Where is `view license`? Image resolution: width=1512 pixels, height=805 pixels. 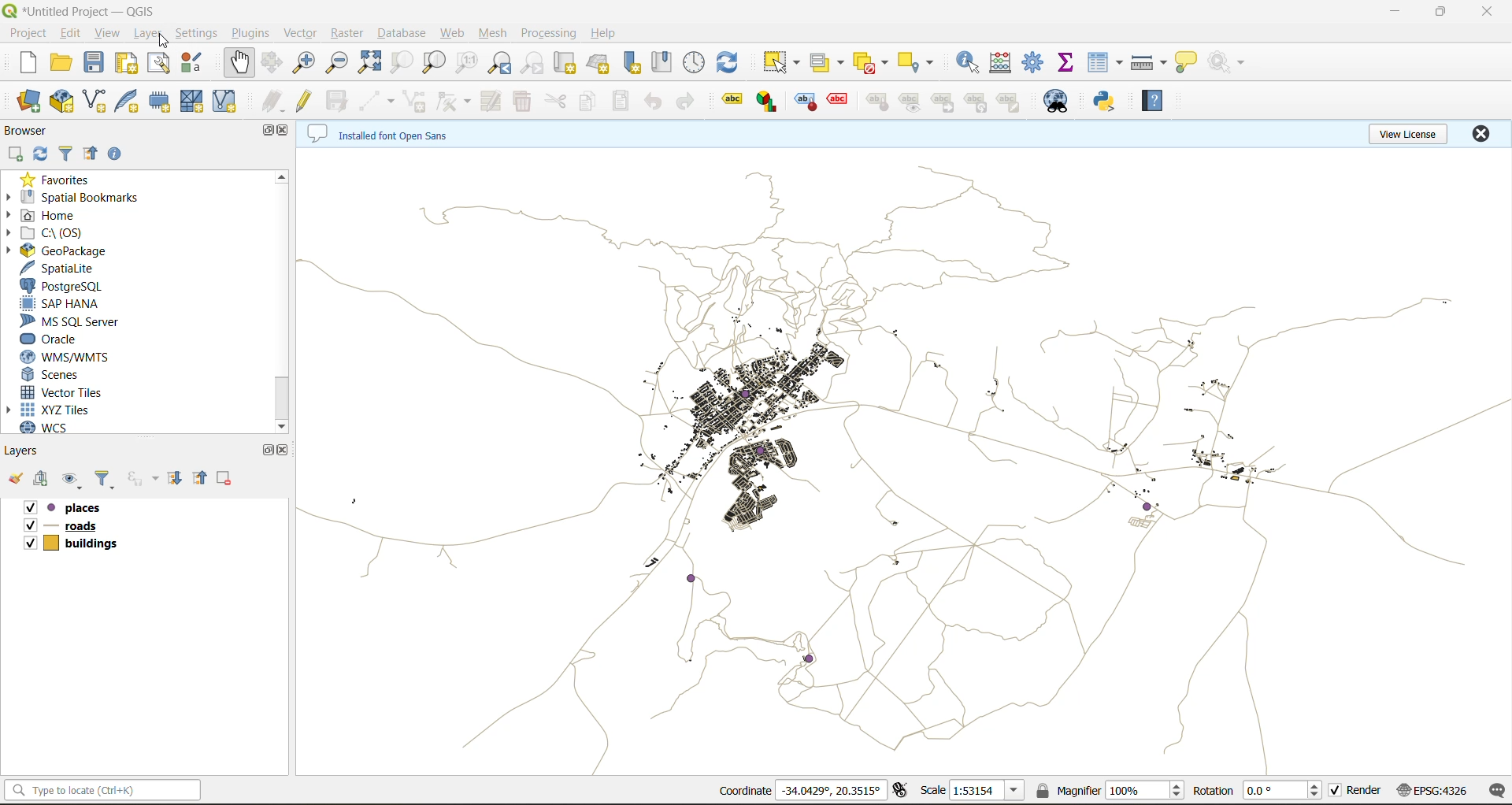 view license is located at coordinates (1403, 132).